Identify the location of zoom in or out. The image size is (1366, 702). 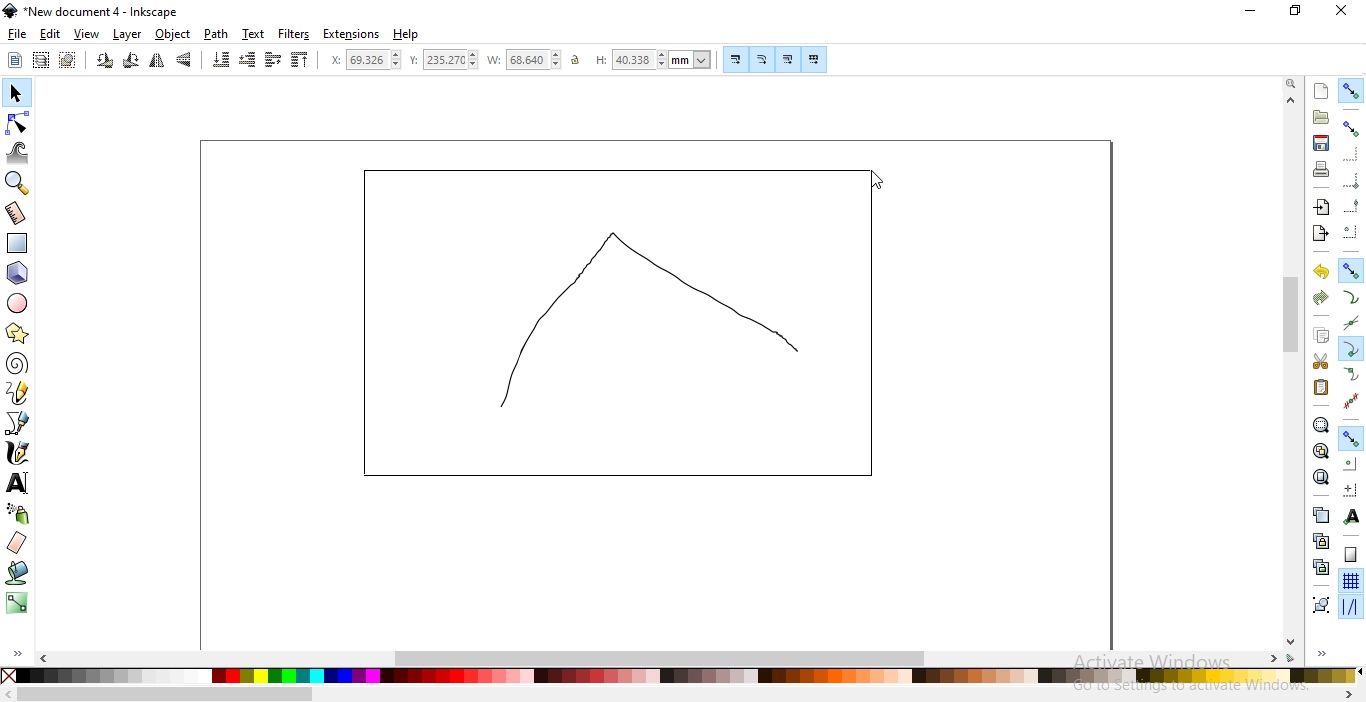
(15, 183).